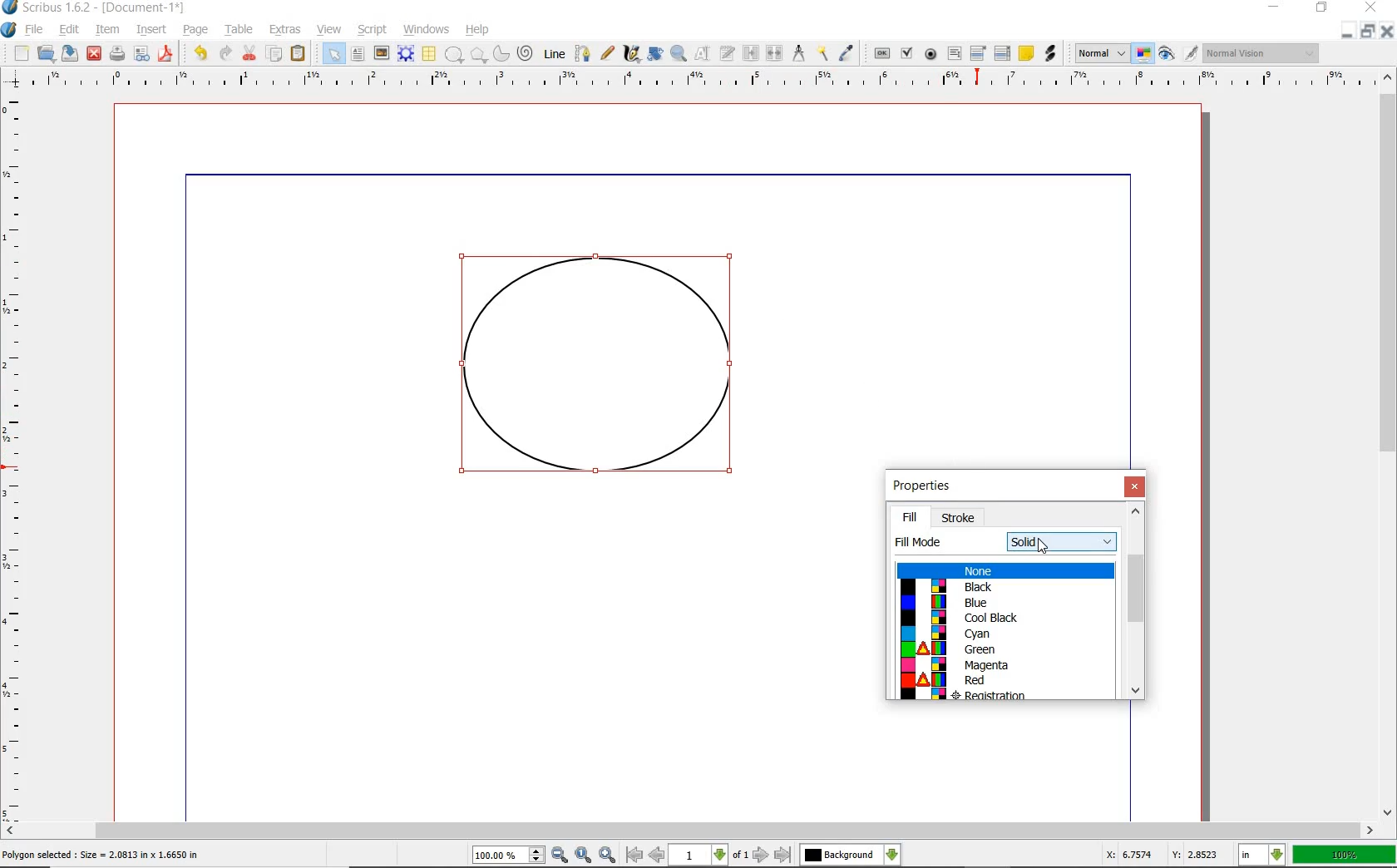  I want to click on SHAPE, so click(453, 55).